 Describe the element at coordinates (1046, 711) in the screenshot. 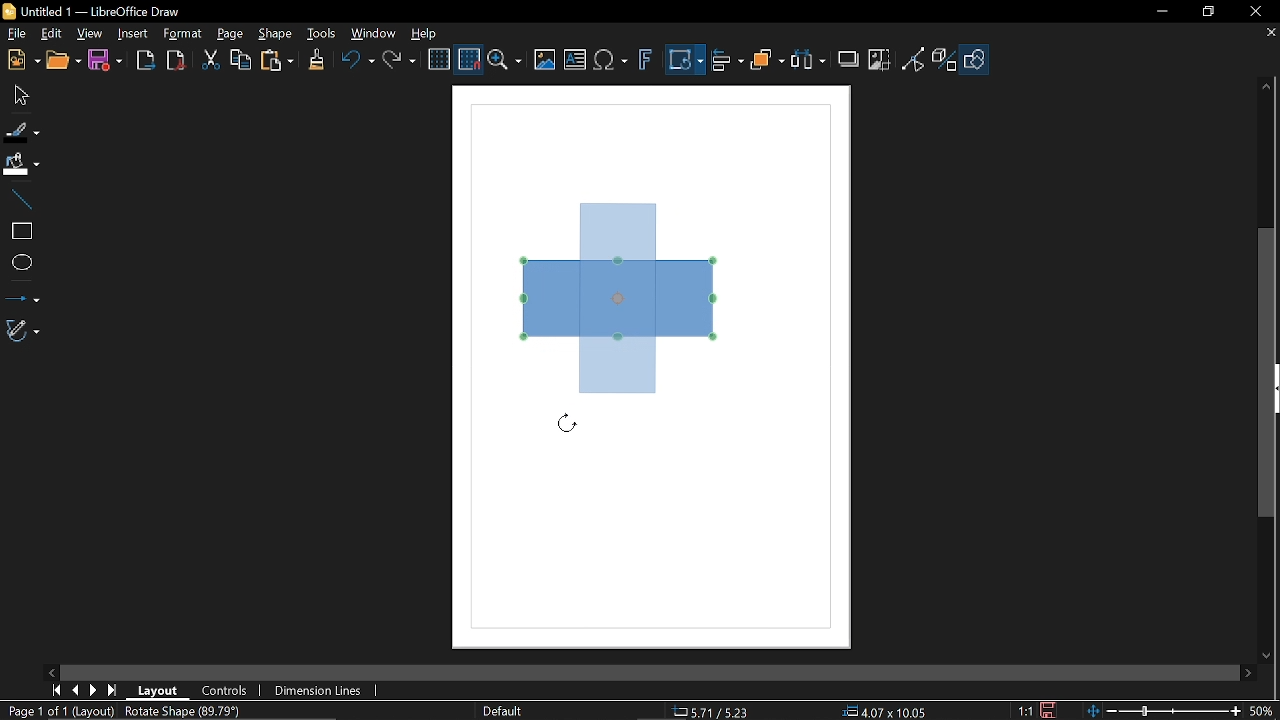

I see `Save` at that location.